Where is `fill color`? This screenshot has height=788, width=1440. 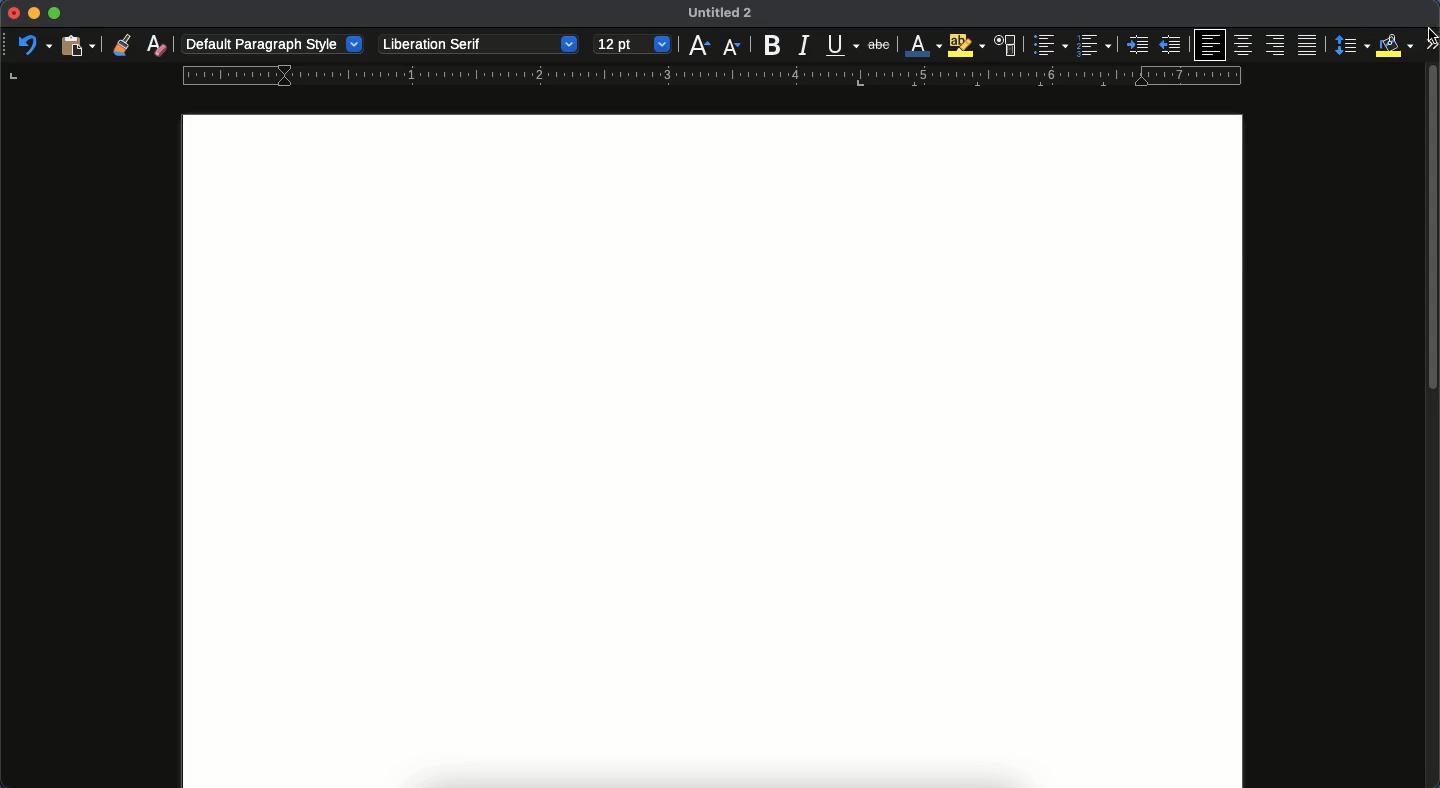
fill color is located at coordinates (1392, 46).